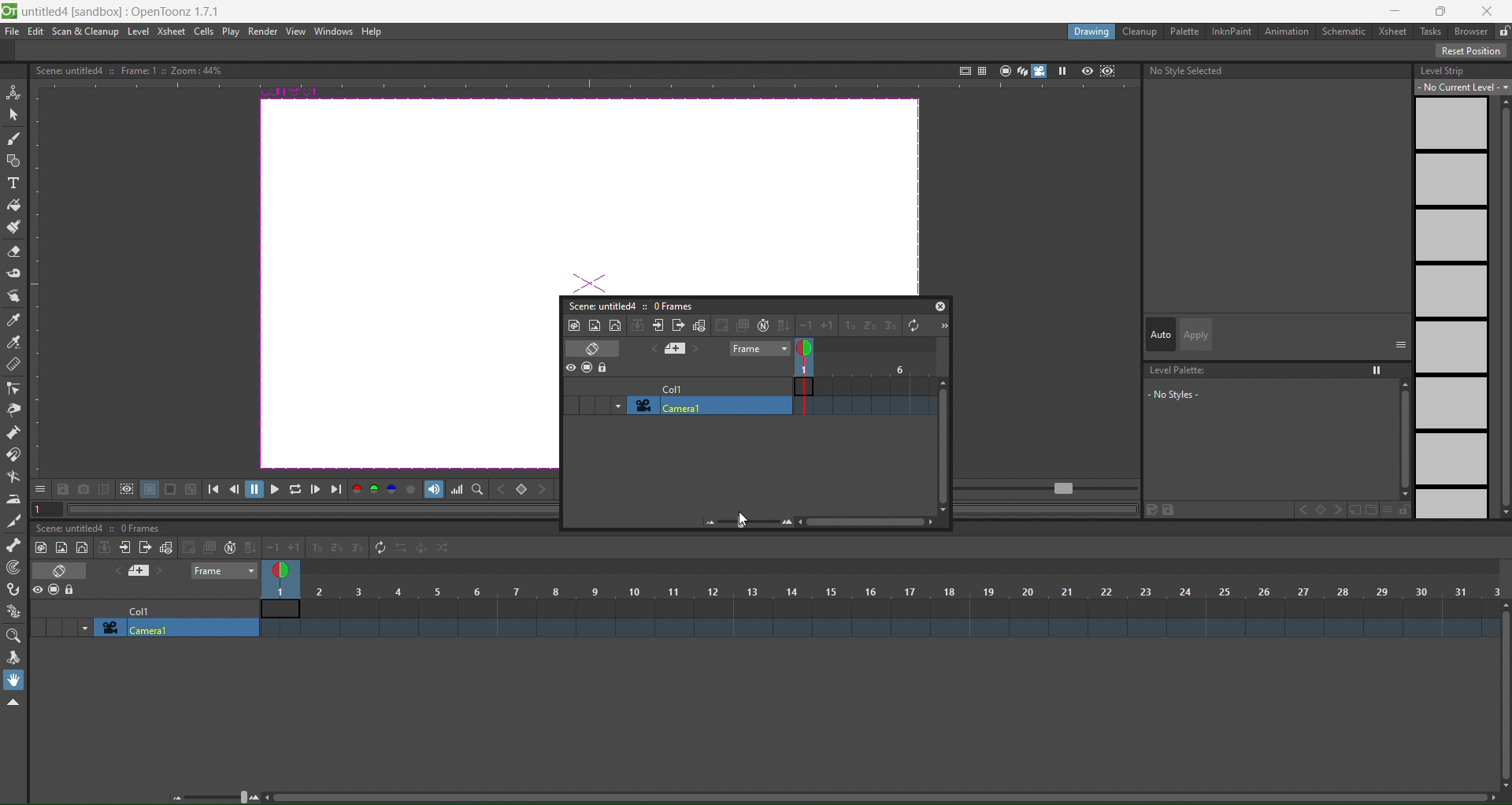 This screenshot has height=805, width=1512. I want to click on icon, so click(55, 591).